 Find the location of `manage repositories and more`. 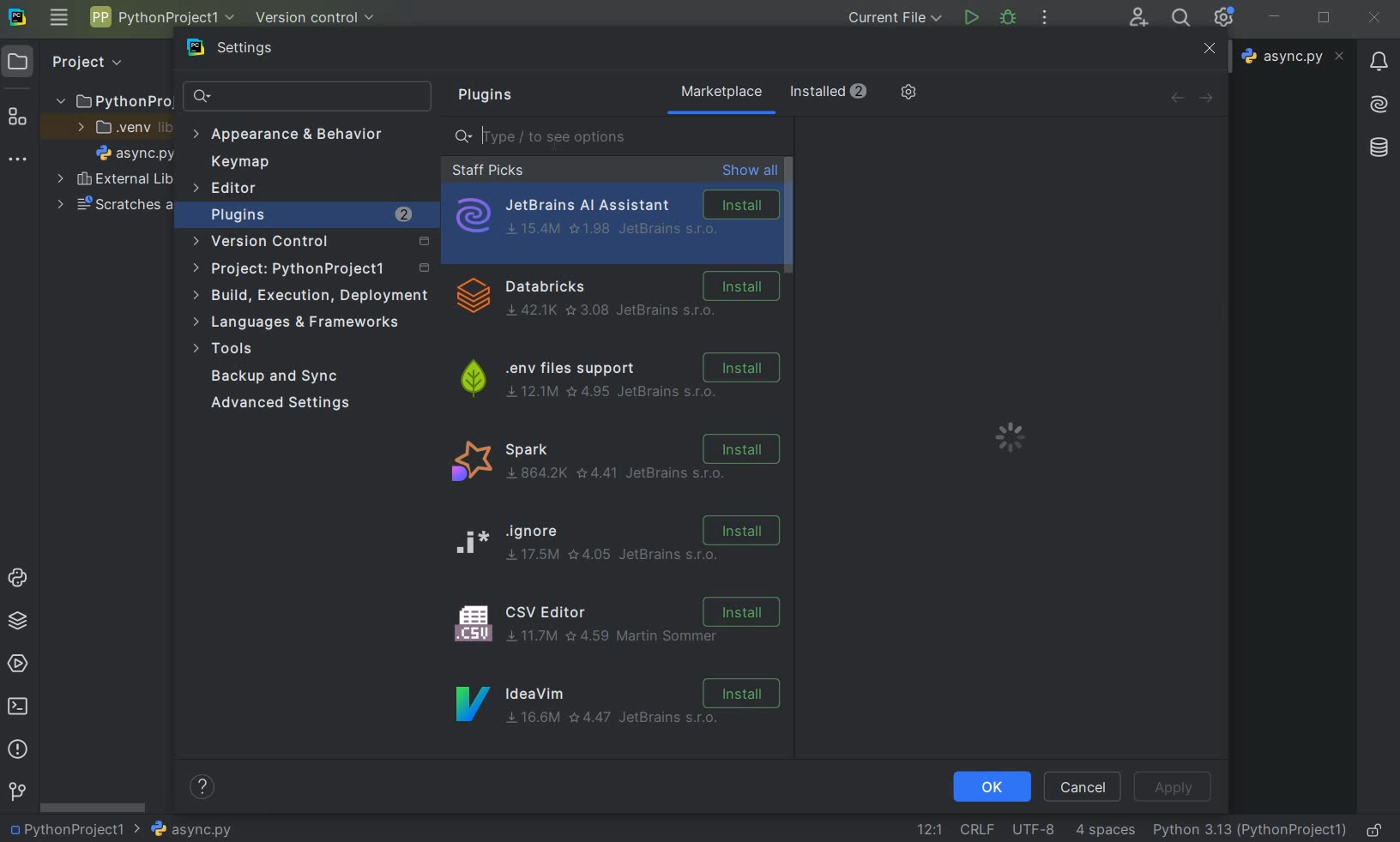

manage repositories and more is located at coordinates (908, 93).